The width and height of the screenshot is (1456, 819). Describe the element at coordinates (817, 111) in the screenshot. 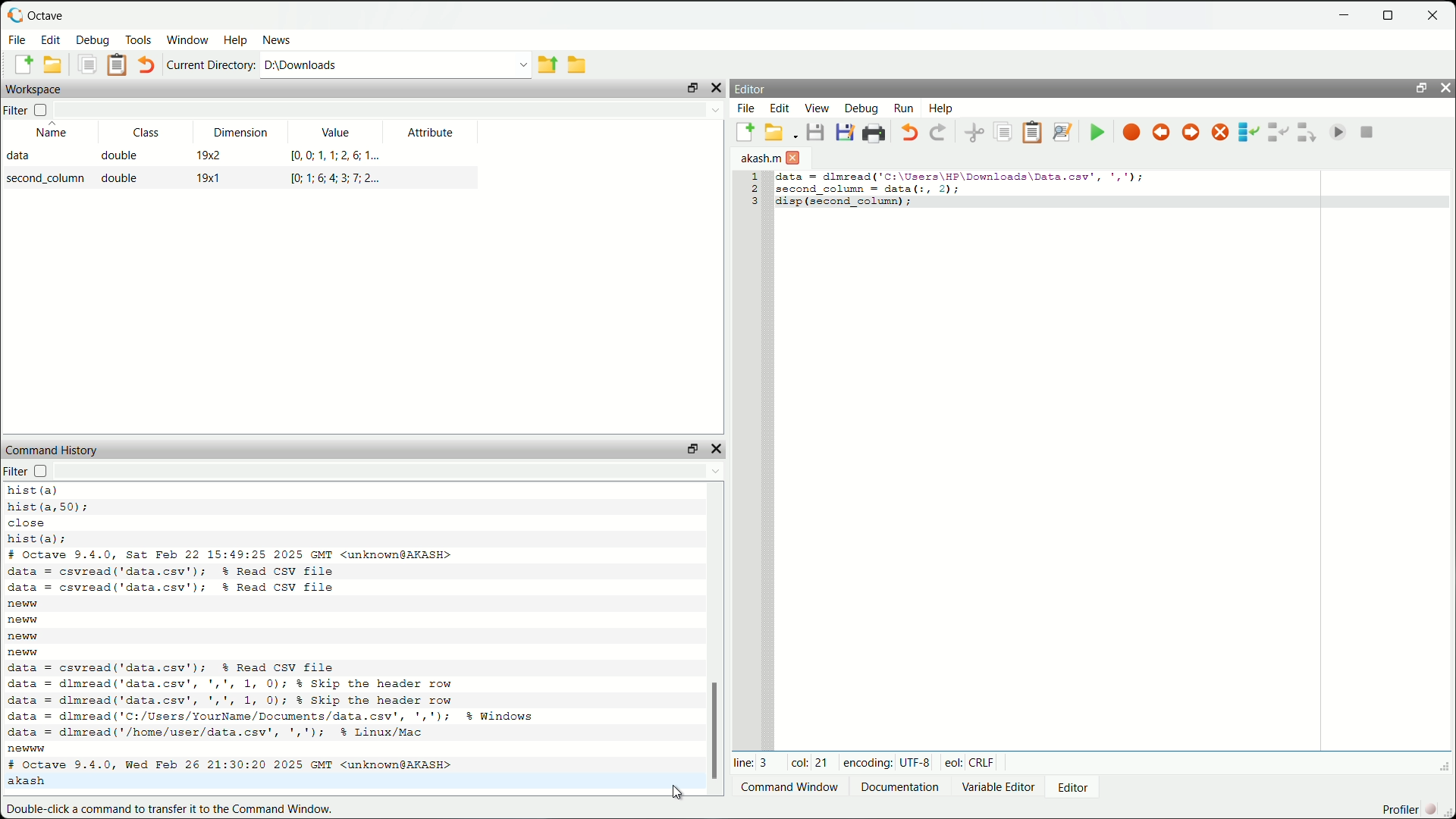

I see `view` at that location.